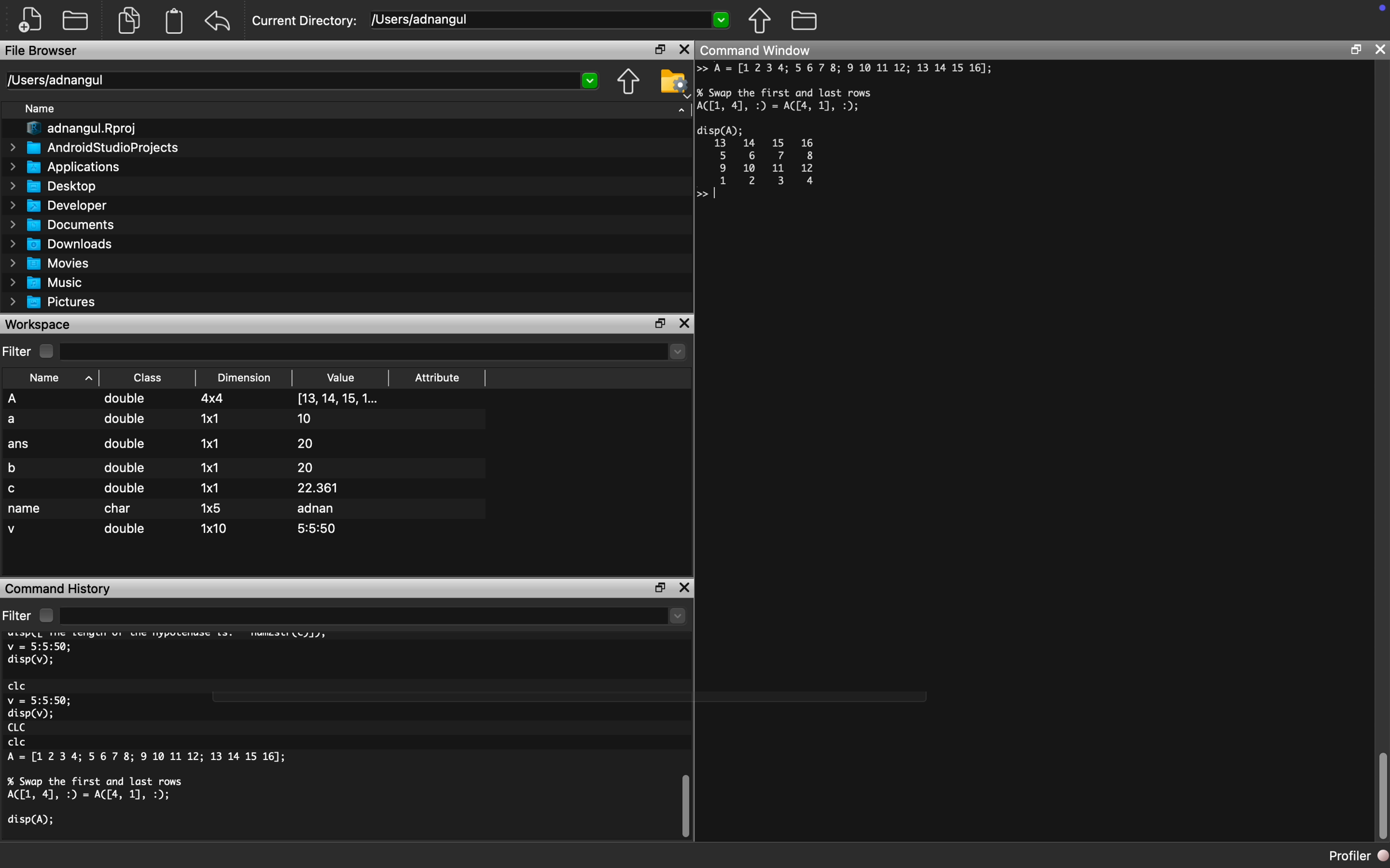  What do you see at coordinates (441, 373) in the screenshot?
I see `Attribute` at bounding box center [441, 373].